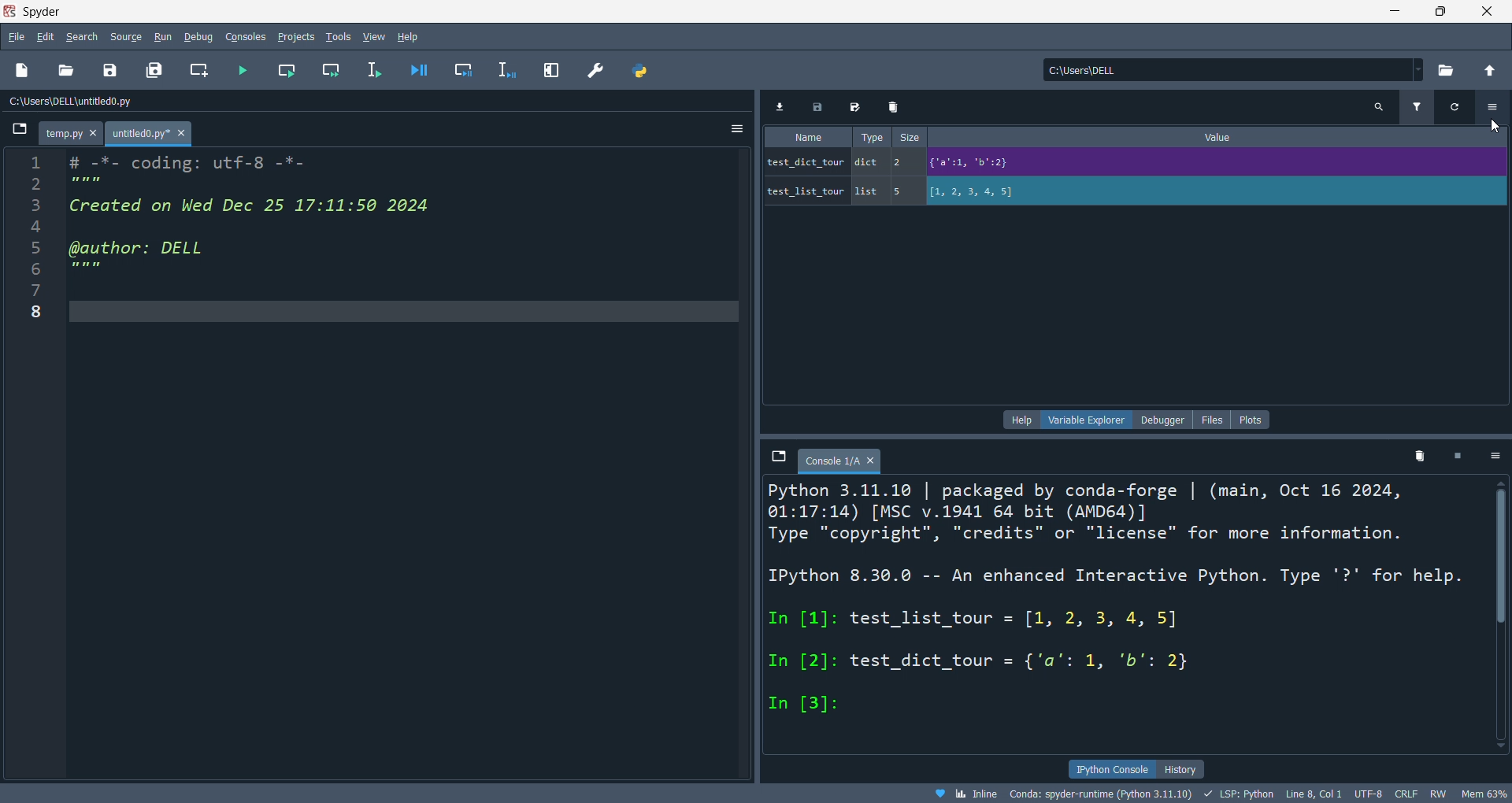 This screenshot has width=1512, height=803. What do you see at coordinates (1123, 615) in the screenshot?
I see `ipython console pane` at bounding box center [1123, 615].